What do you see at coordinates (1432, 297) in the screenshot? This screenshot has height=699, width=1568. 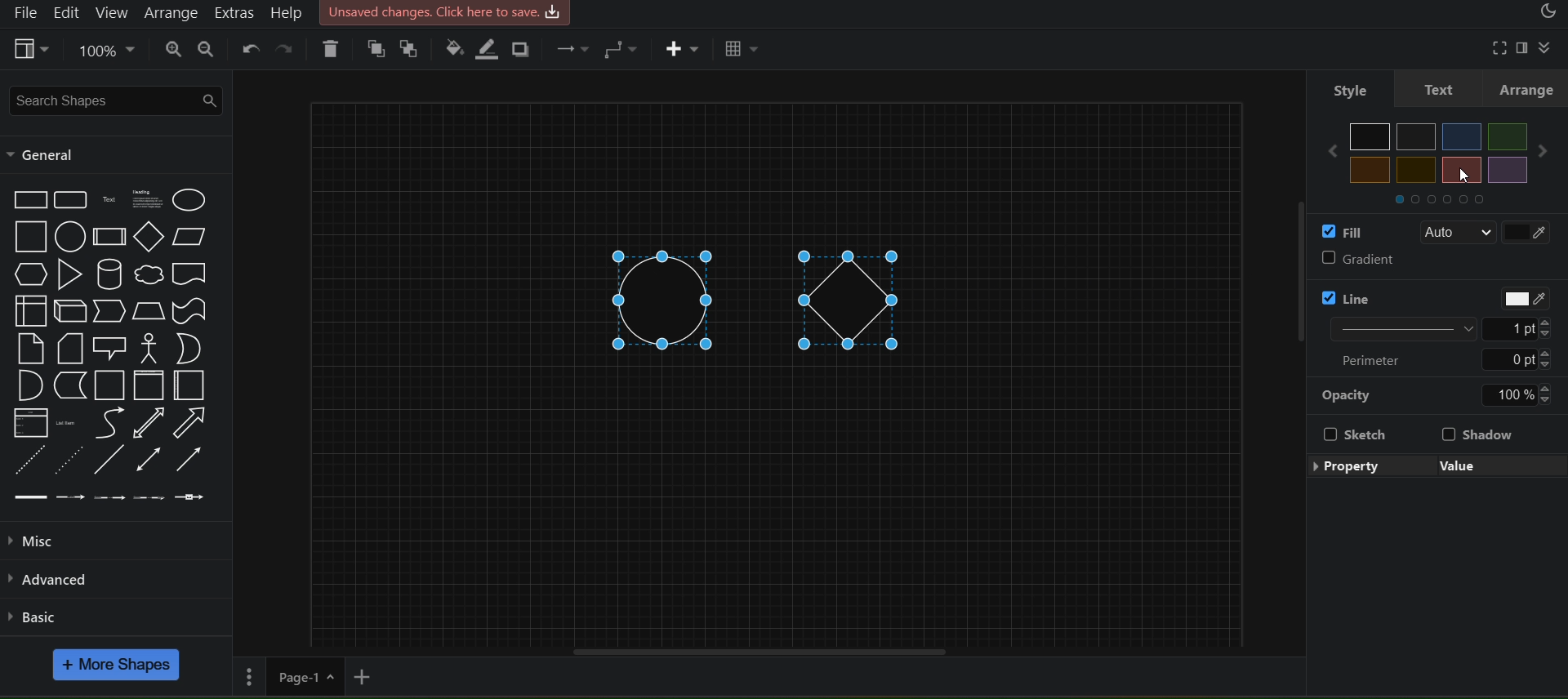 I see `line` at bounding box center [1432, 297].